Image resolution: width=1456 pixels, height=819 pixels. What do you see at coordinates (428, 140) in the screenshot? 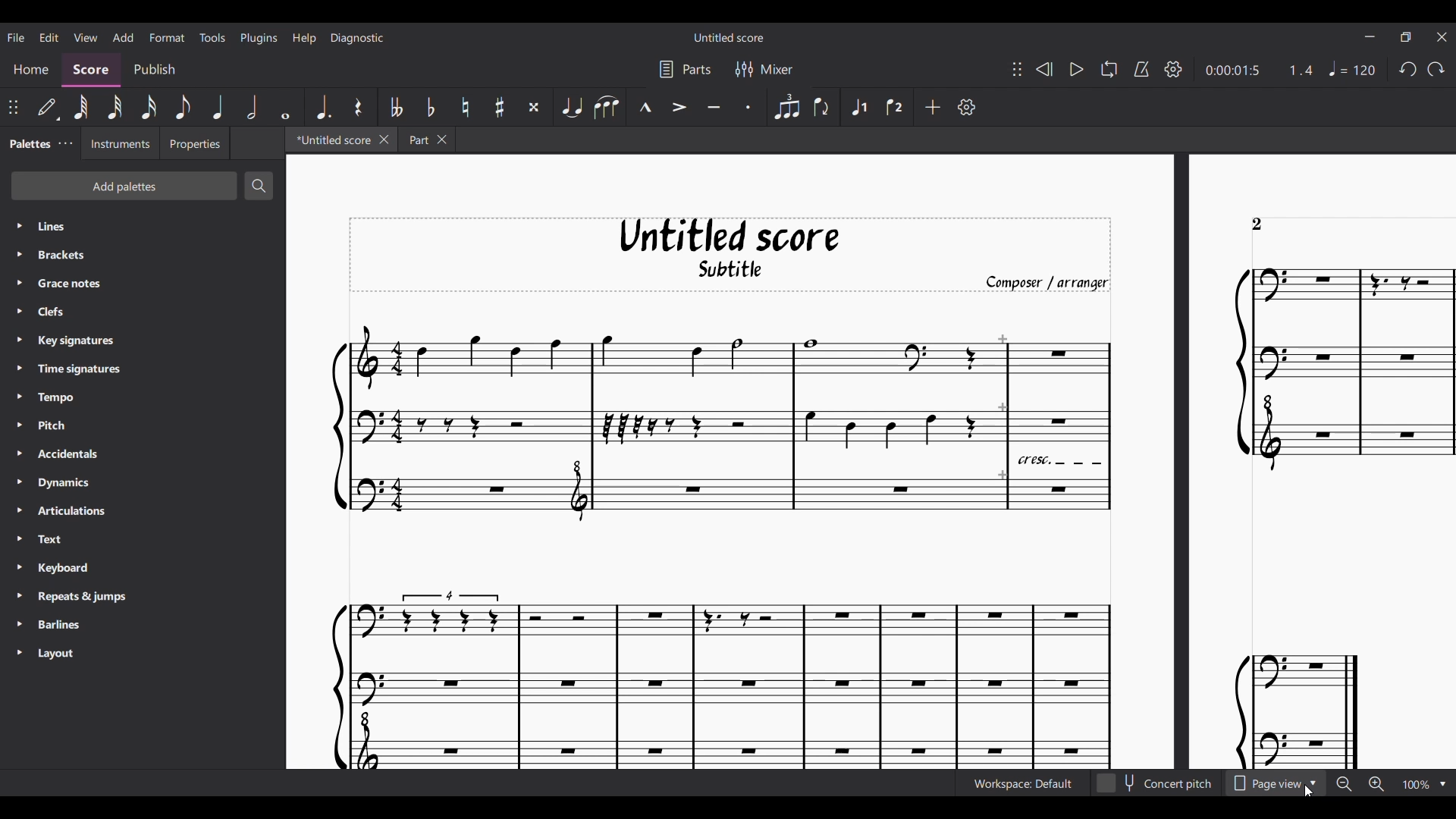
I see `Earlier tab` at bounding box center [428, 140].